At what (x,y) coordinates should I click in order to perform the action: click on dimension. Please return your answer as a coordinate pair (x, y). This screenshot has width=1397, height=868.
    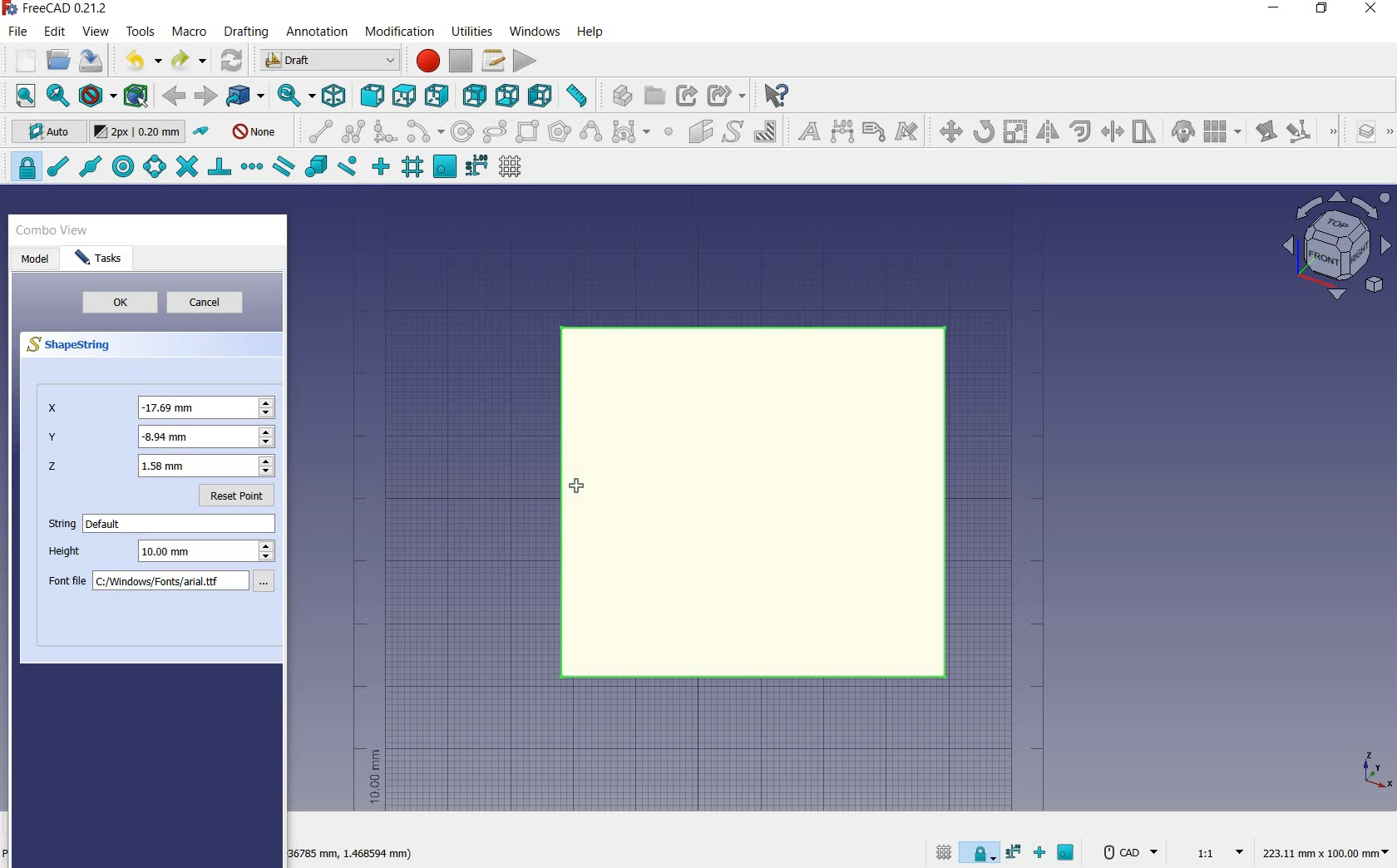
    Looking at the image, I should click on (843, 133).